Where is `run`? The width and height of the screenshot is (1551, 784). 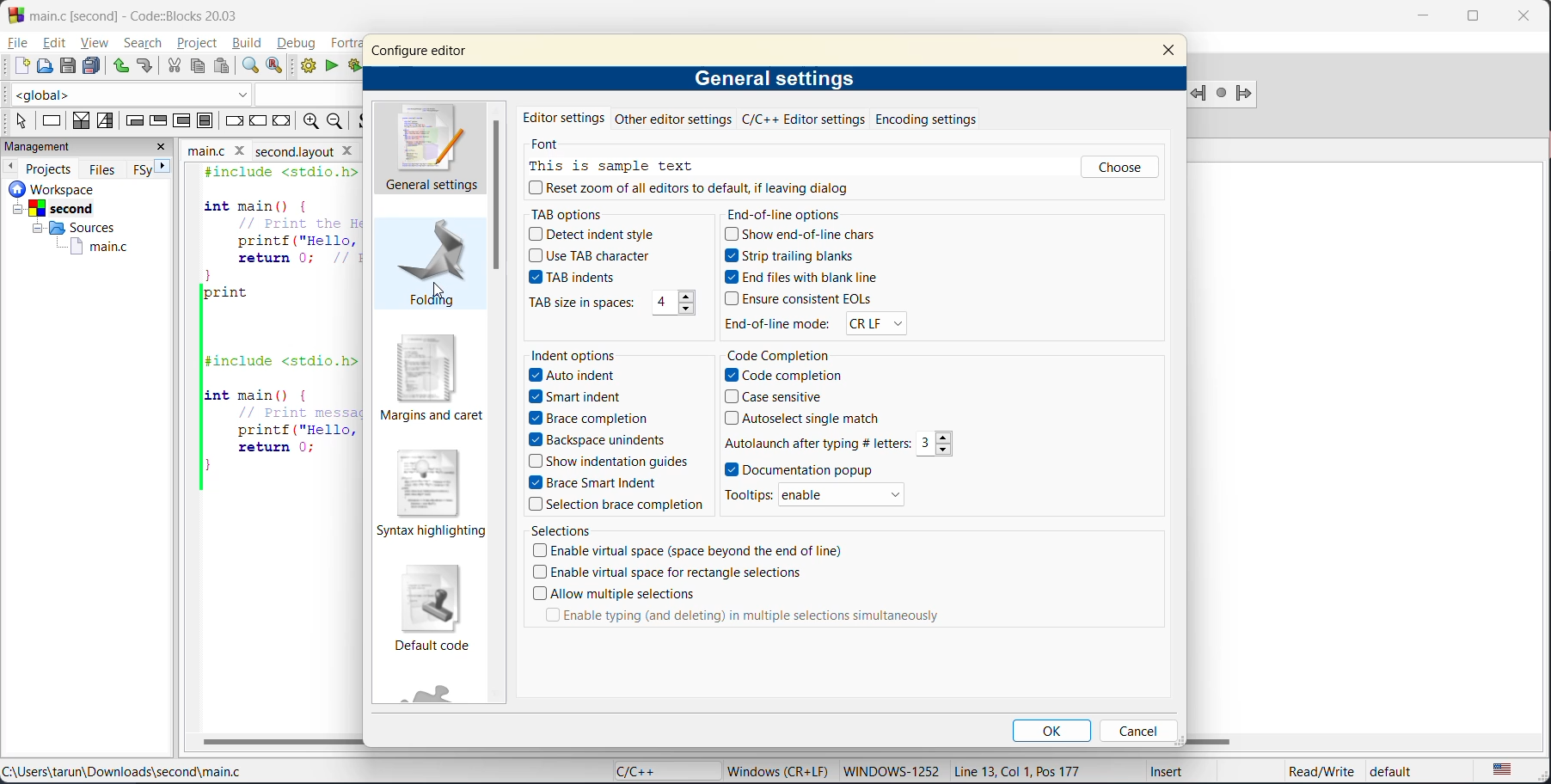
run is located at coordinates (335, 69).